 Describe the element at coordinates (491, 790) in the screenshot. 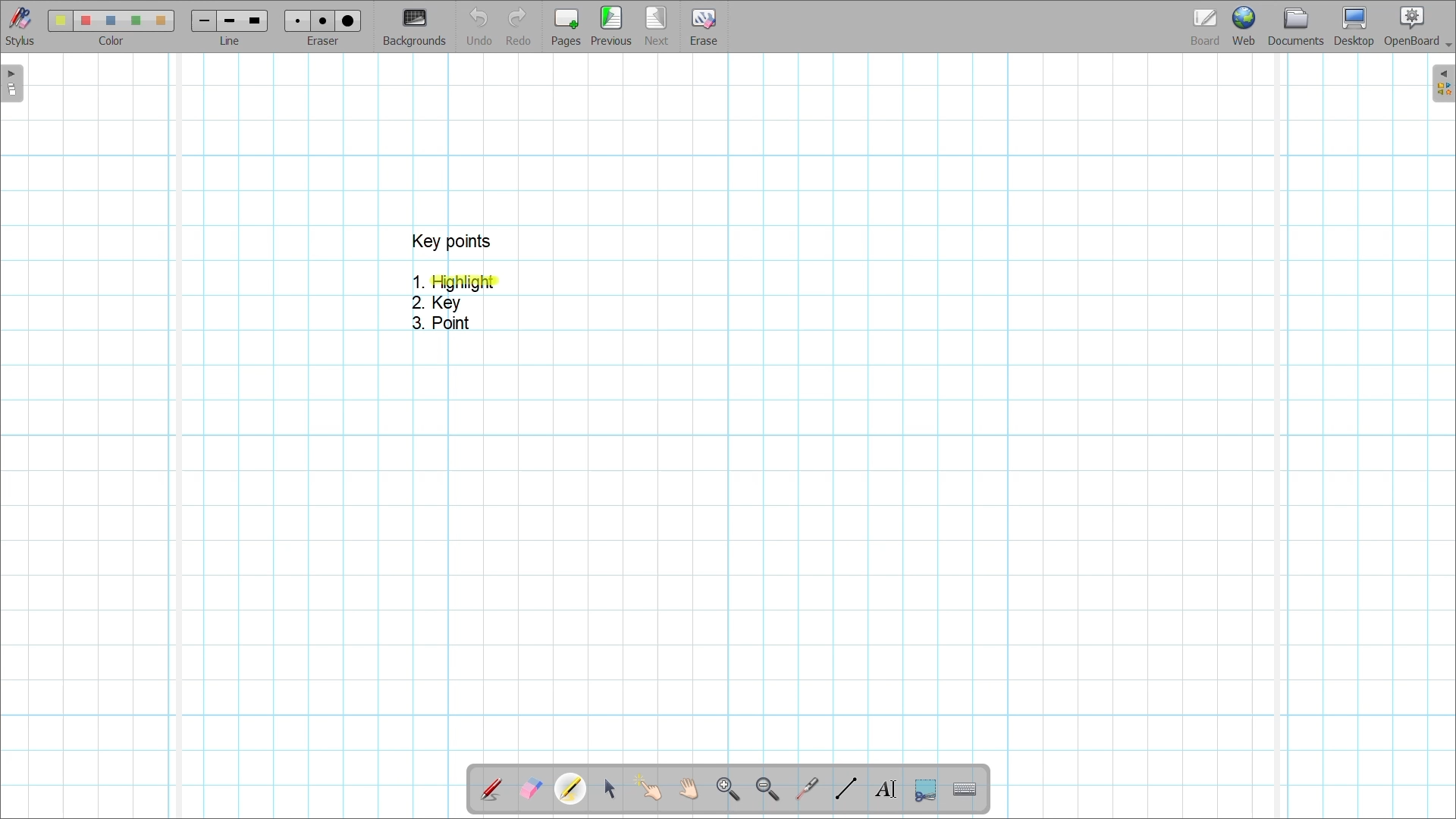

I see `Annotate document` at that location.